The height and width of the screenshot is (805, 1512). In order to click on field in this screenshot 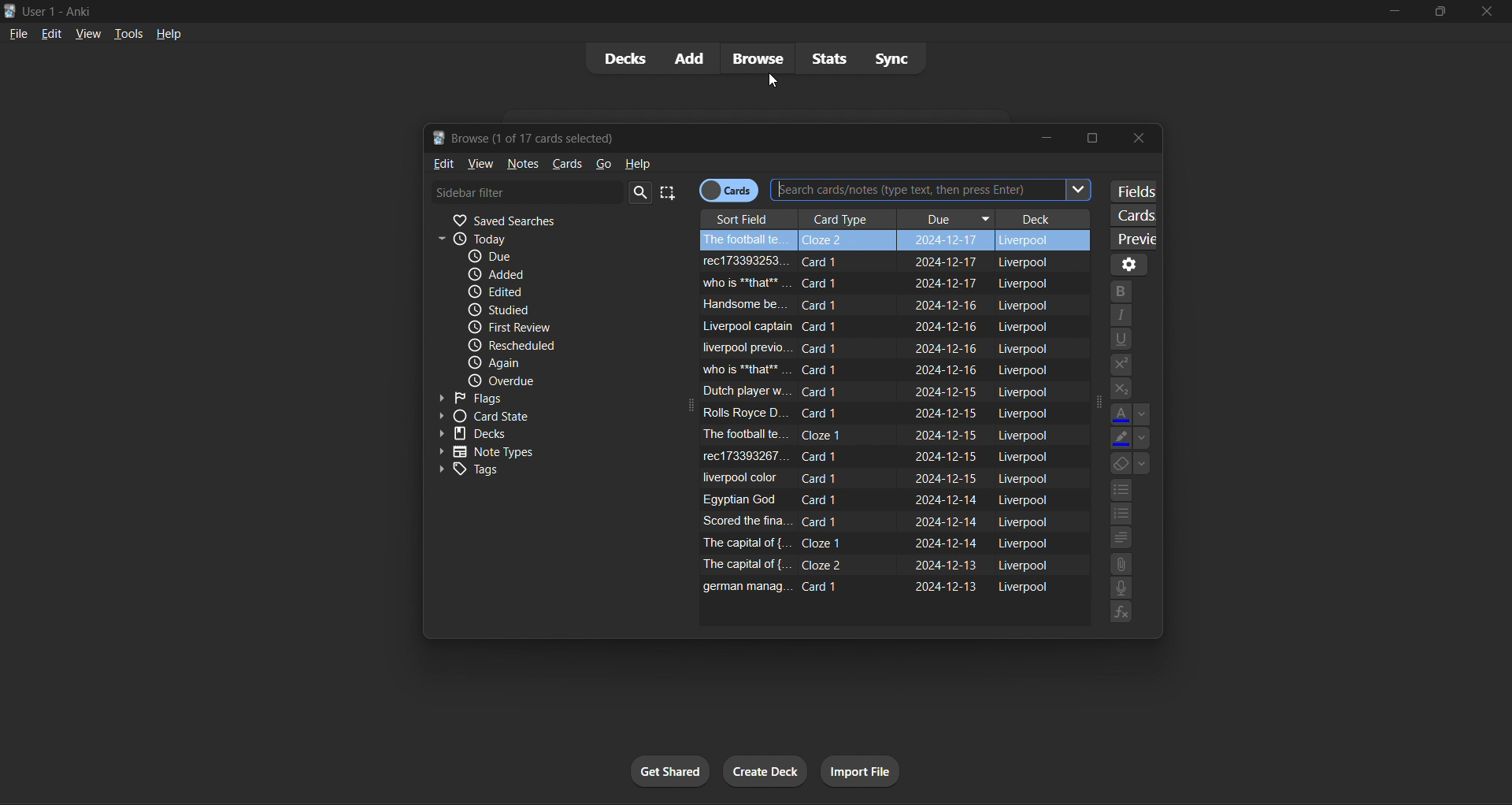, I will do `click(749, 326)`.